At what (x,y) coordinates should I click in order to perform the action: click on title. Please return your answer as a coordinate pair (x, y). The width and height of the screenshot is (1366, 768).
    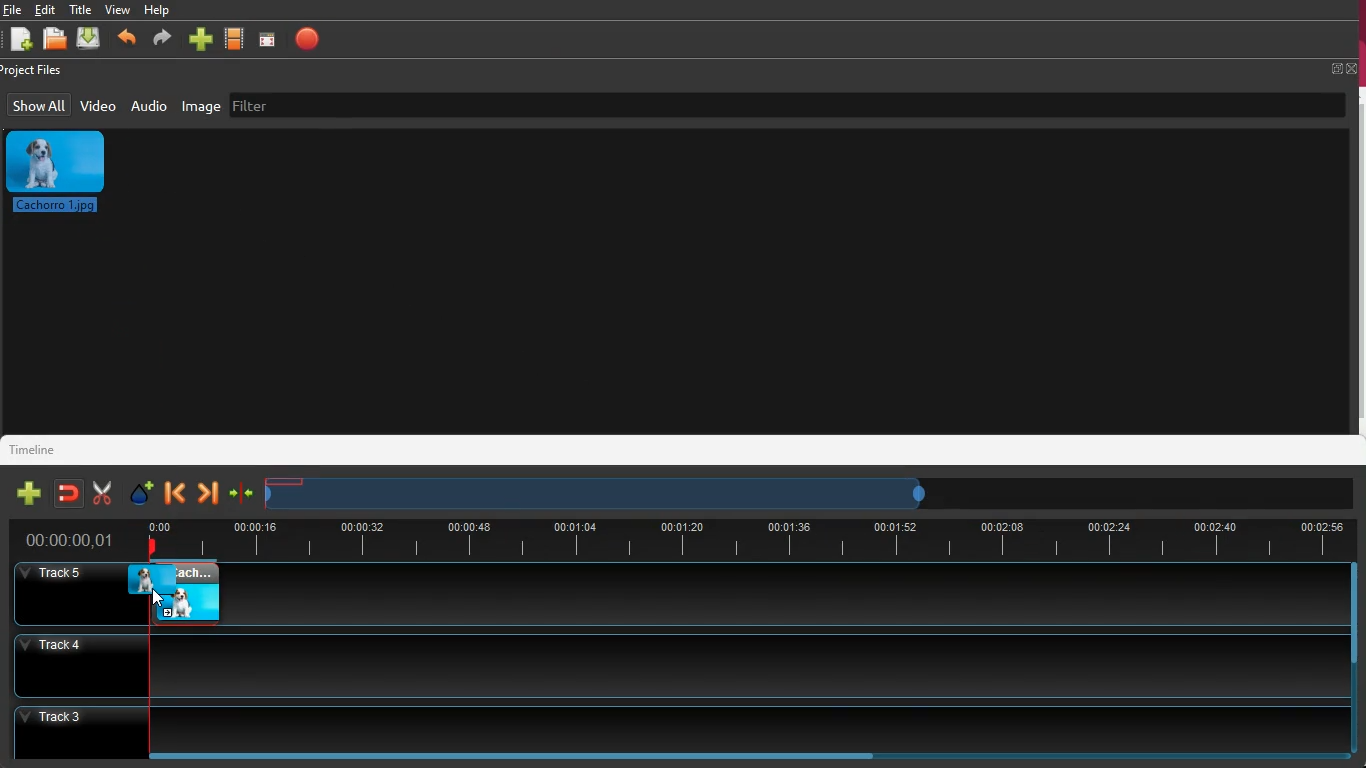
    Looking at the image, I should click on (81, 8).